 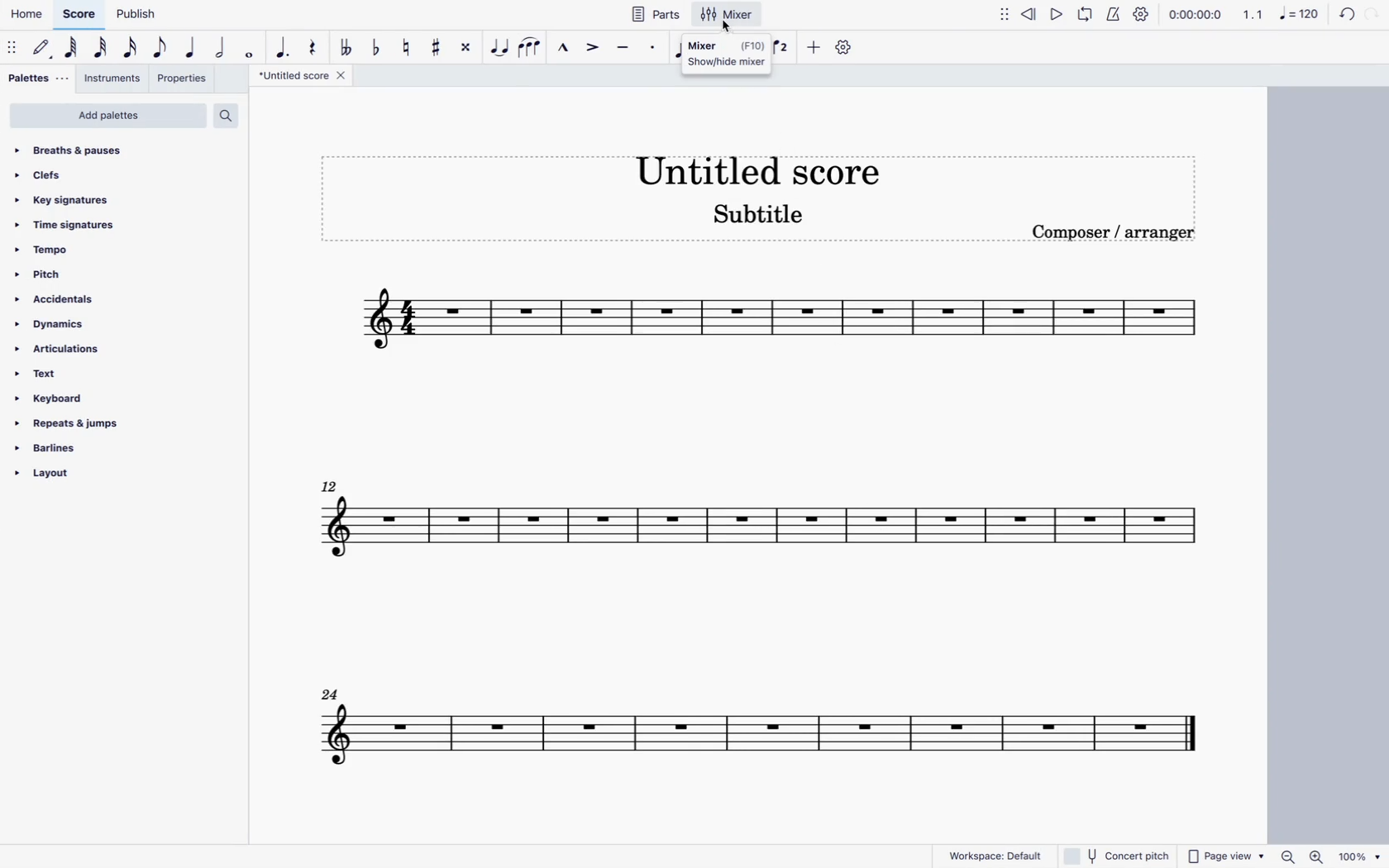 I want to click on toggle double flat, so click(x=346, y=47).